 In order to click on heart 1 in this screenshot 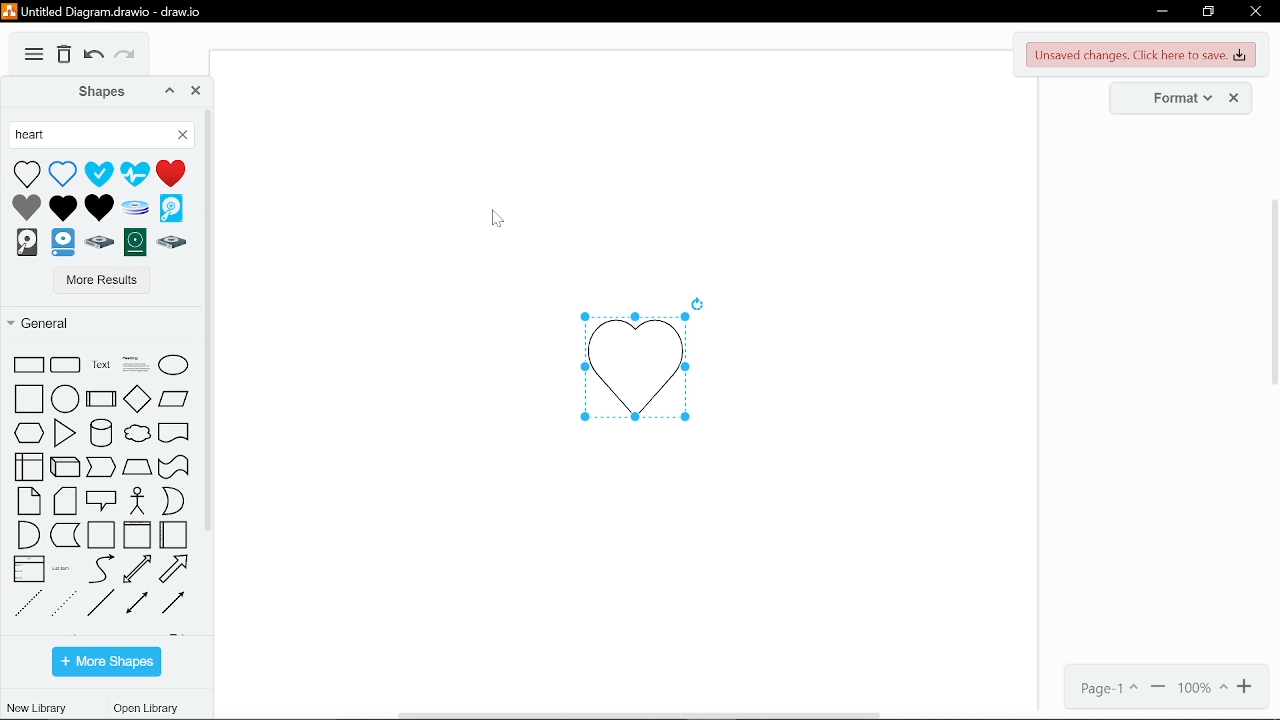, I will do `click(63, 207)`.